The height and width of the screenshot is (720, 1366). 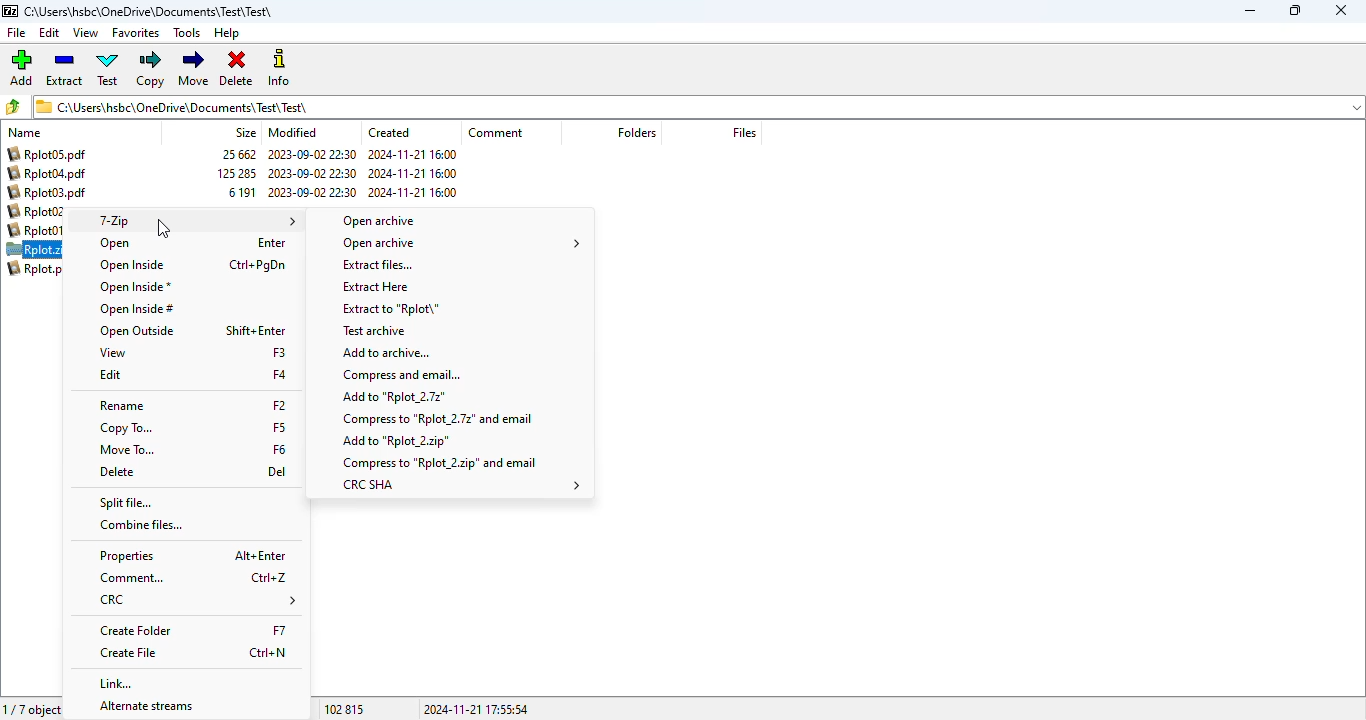 What do you see at coordinates (270, 577) in the screenshot?
I see `Ctrl+Z` at bounding box center [270, 577].